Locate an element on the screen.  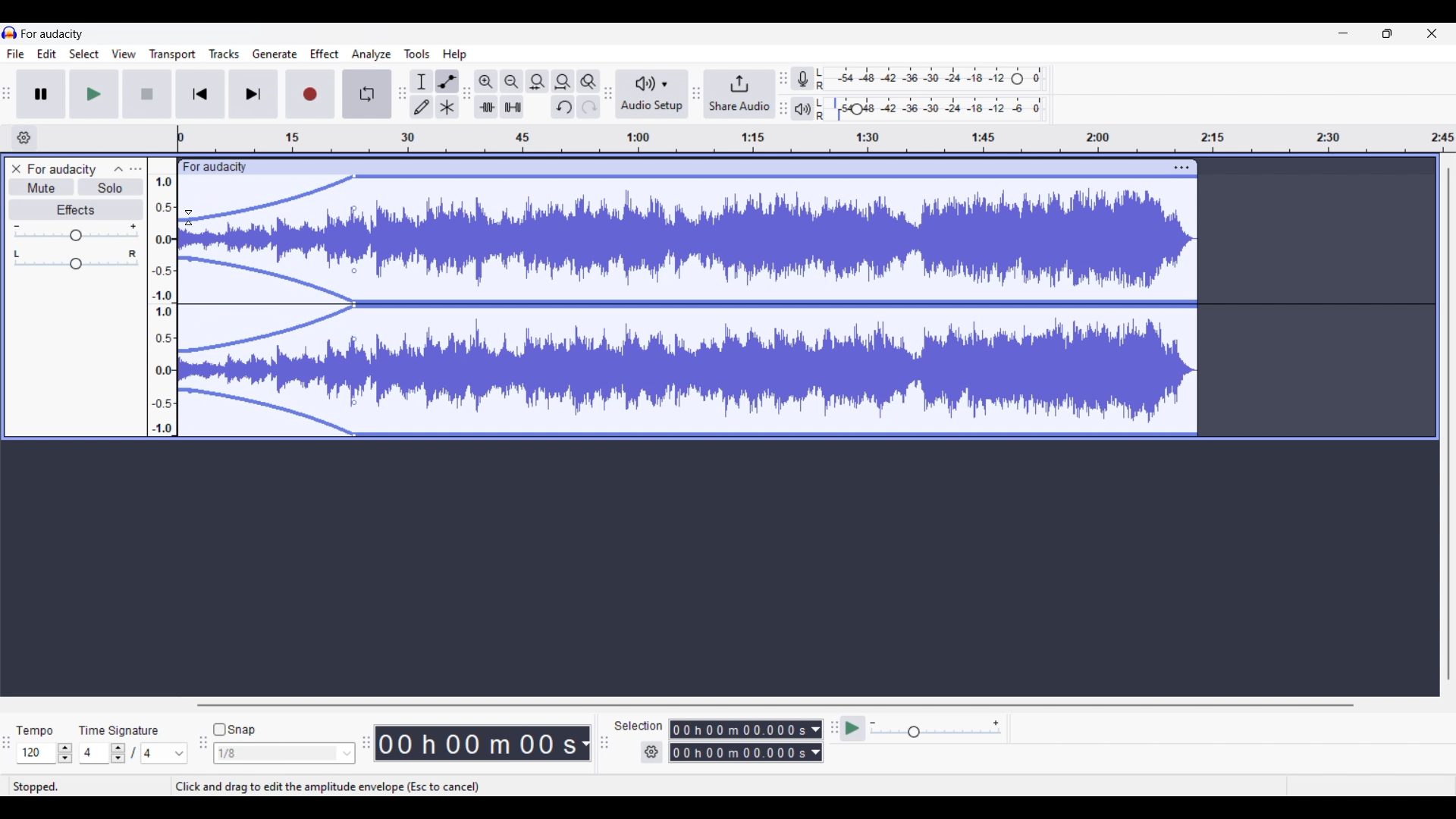
Tracks is located at coordinates (224, 54).